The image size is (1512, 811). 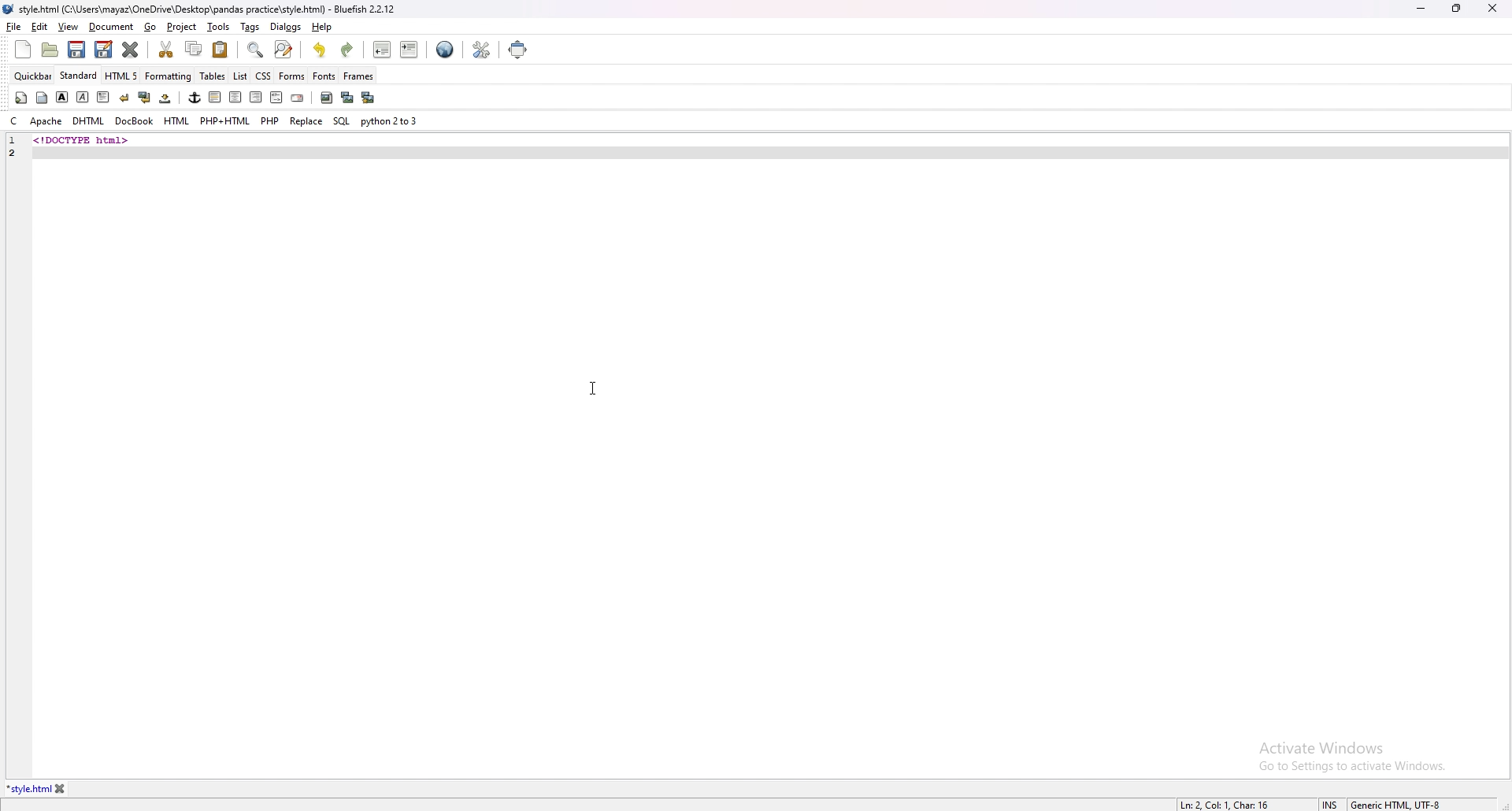 What do you see at coordinates (1330, 804) in the screenshot?
I see `cursor mode` at bounding box center [1330, 804].